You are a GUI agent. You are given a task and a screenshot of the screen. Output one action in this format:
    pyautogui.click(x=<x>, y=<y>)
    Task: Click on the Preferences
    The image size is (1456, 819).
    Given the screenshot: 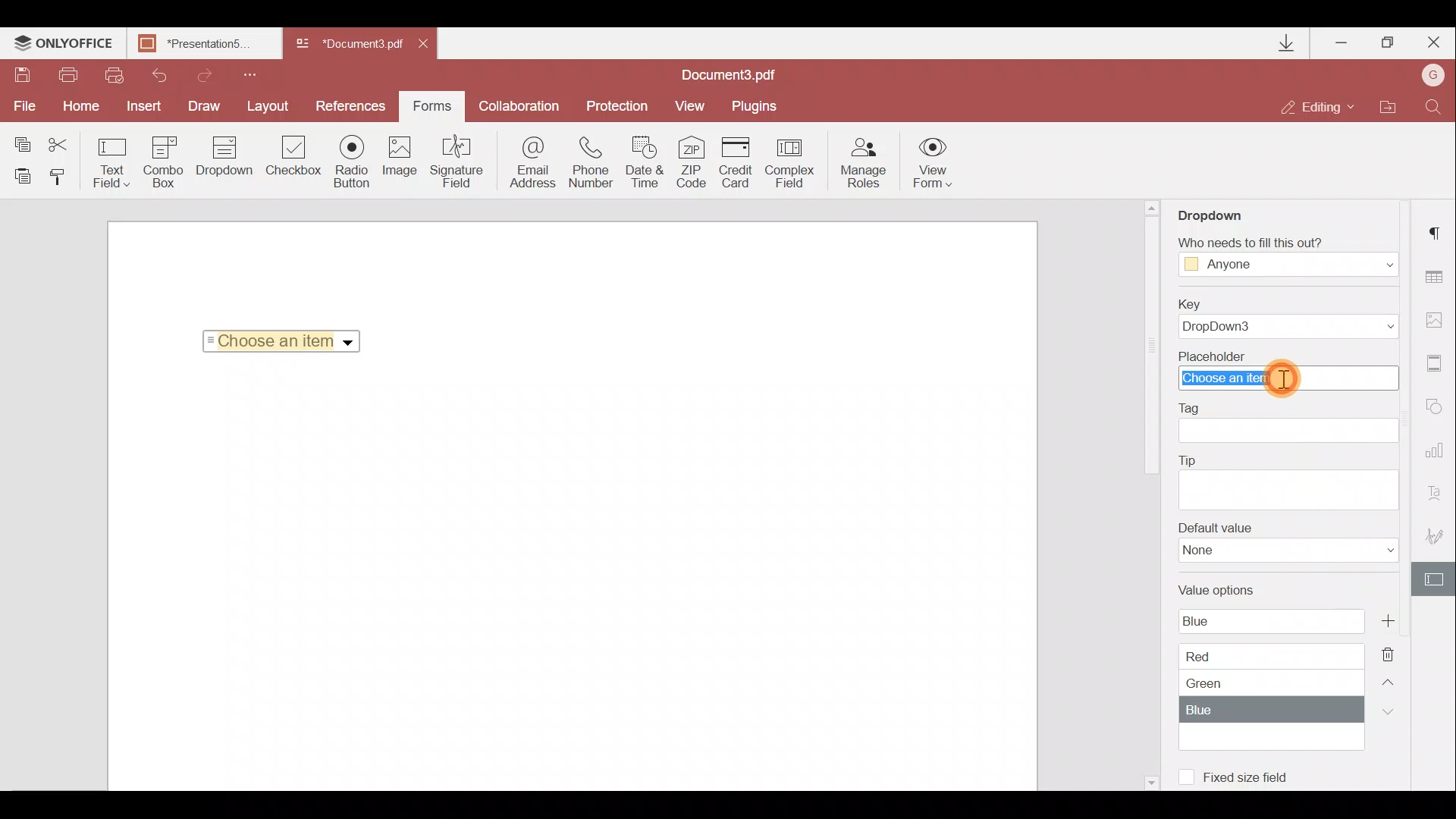 What is the action you would take?
    pyautogui.click(x=352, y=106)
    